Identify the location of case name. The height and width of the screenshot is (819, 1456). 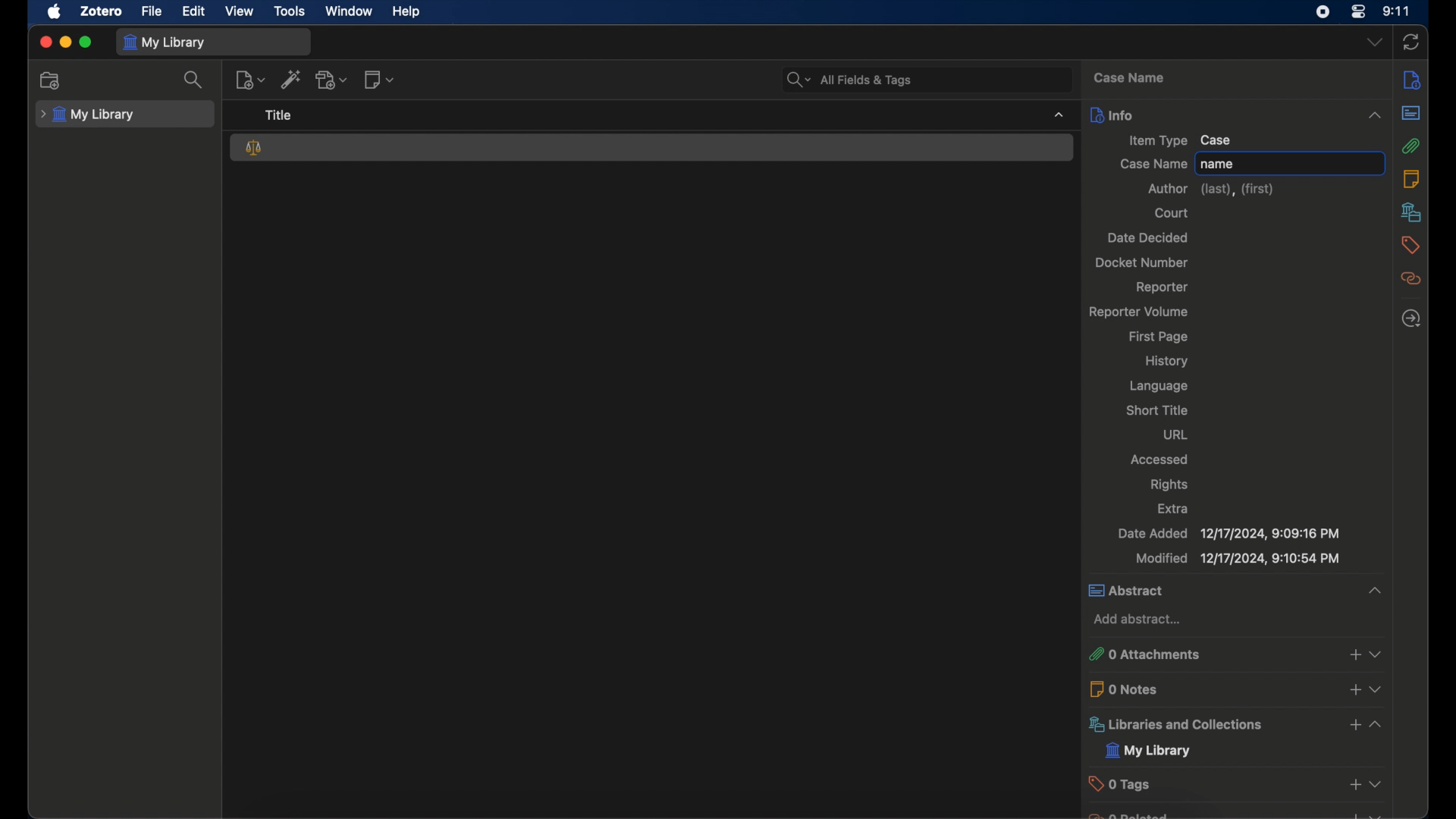
(1152, 164).